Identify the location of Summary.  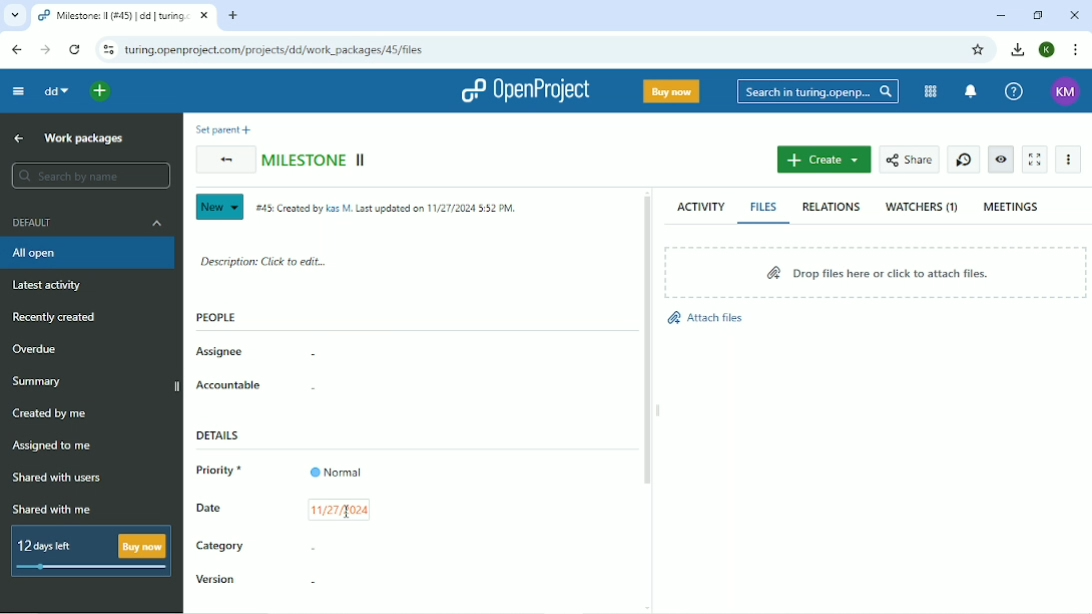
(39, 381).